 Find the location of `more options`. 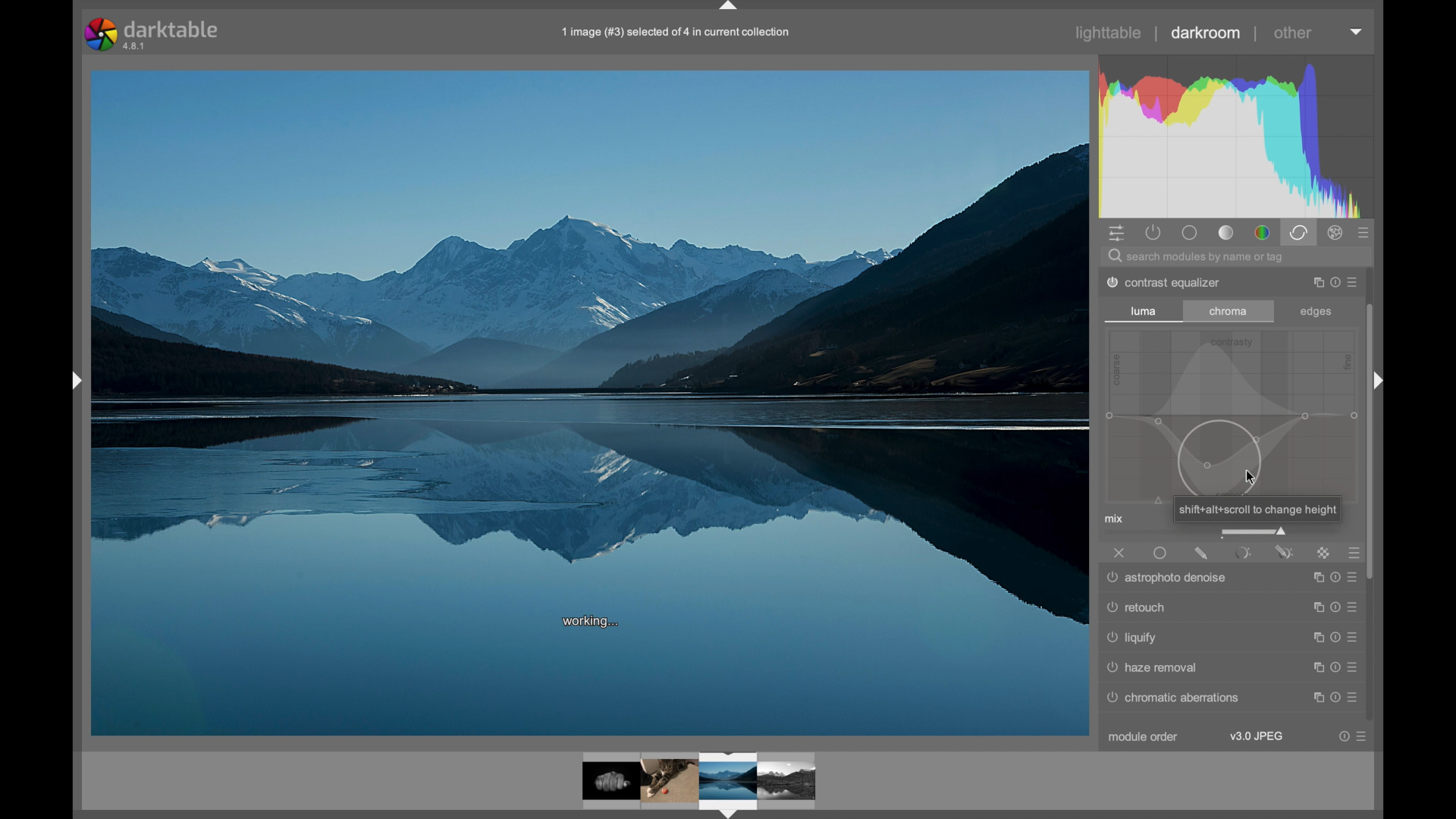

more options is located at coordinates (1331, 700).